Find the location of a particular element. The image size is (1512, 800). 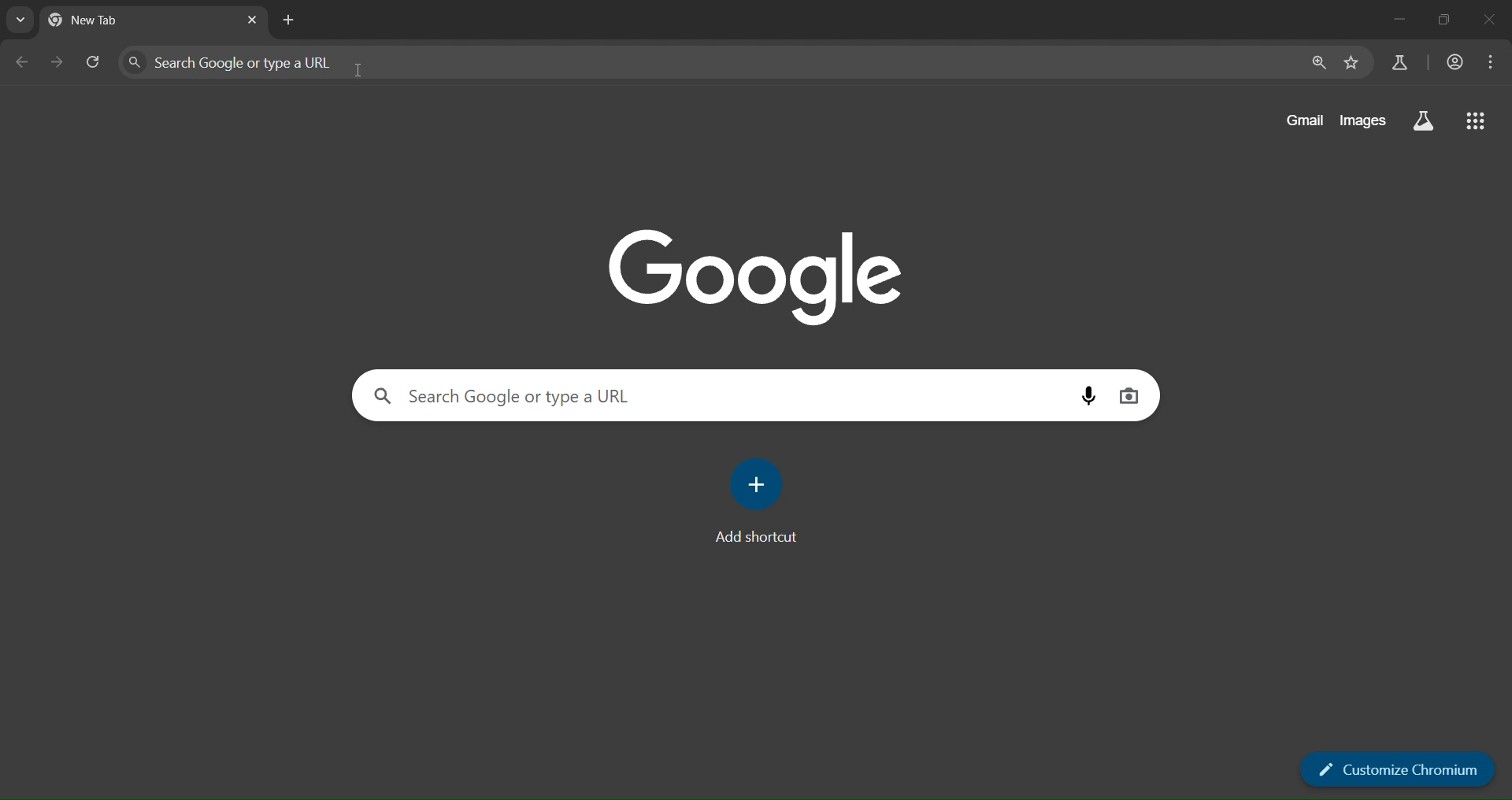

customize chromium is located at coordinates (1399, 769).